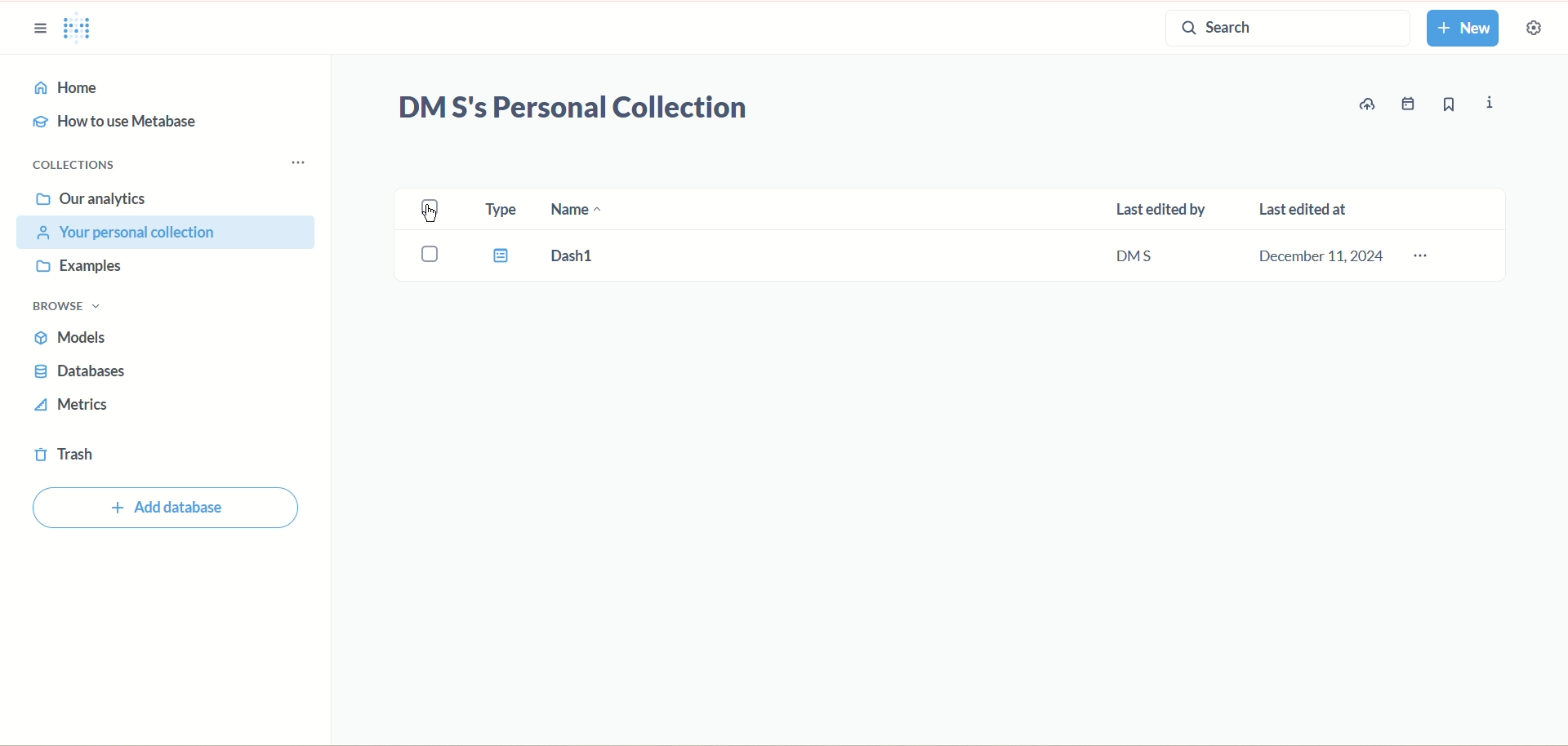 The height and width of the screenshot is (746, 1568). What do you see at coordinates (1140, 208) in the screenshot?
I see `last edited by` at bounding box center [1140, 208].